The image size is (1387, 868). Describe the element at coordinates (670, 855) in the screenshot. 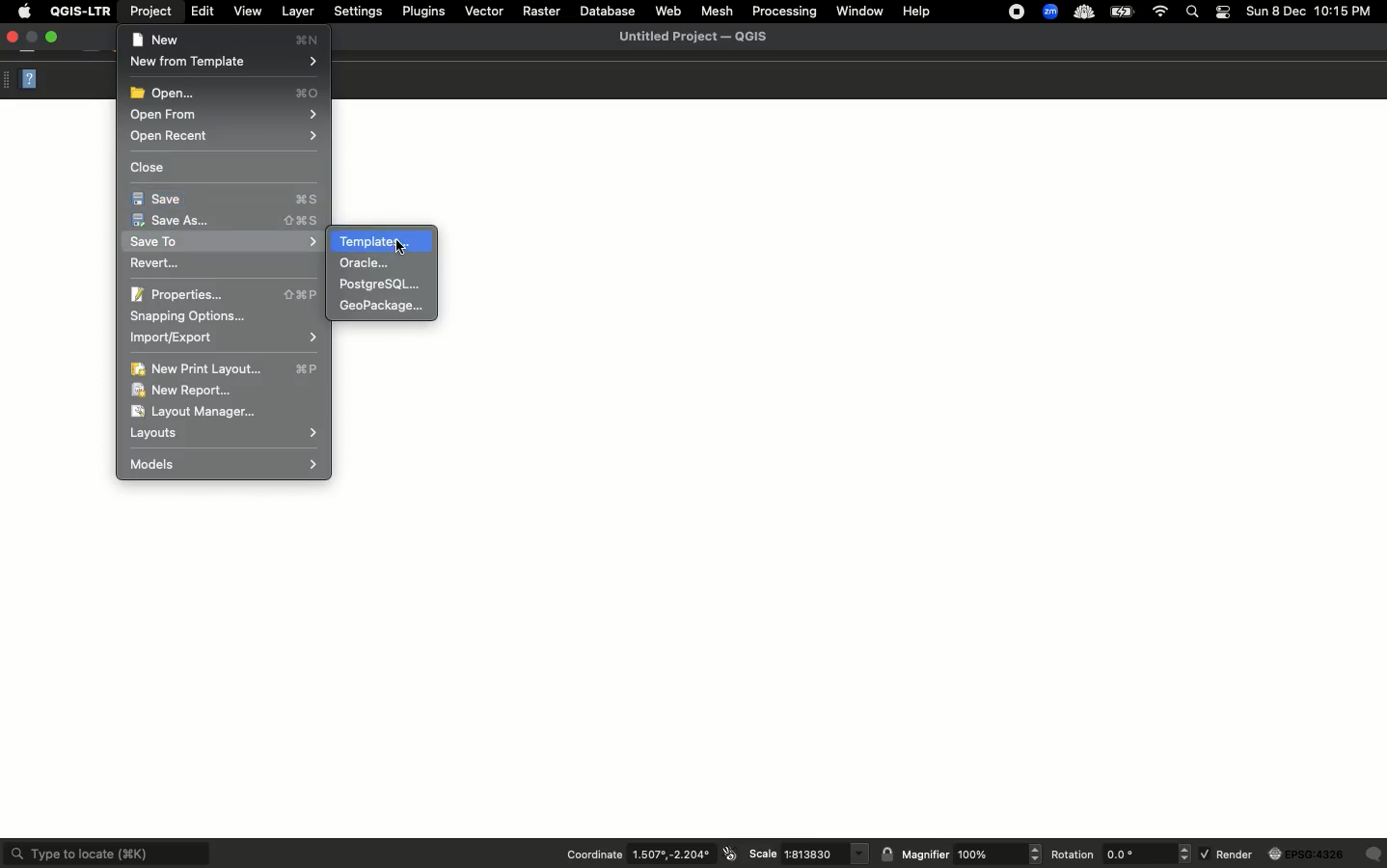

I see `coordinates` at that location.